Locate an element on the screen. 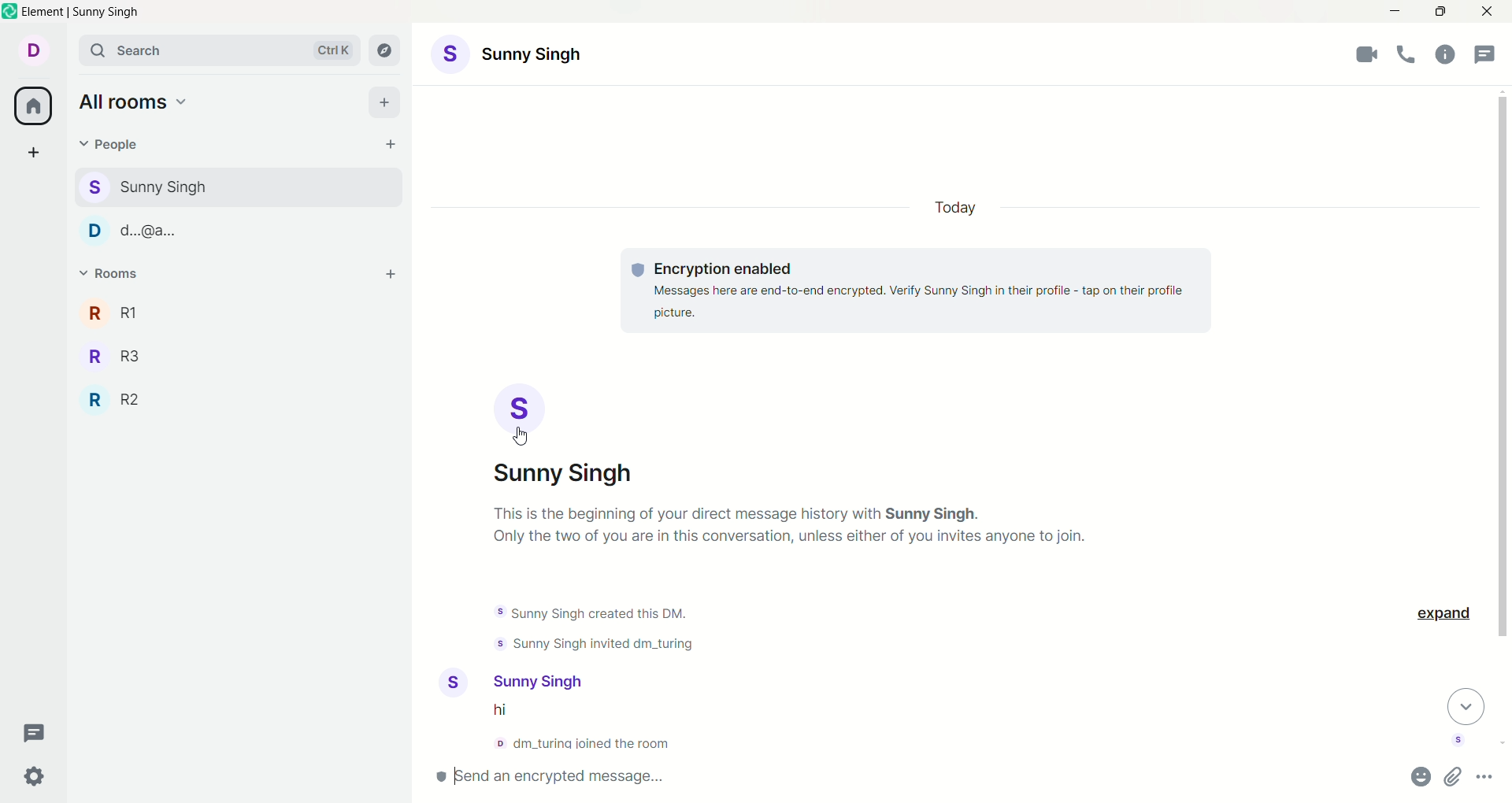  account is located at coordinates (510, 682).